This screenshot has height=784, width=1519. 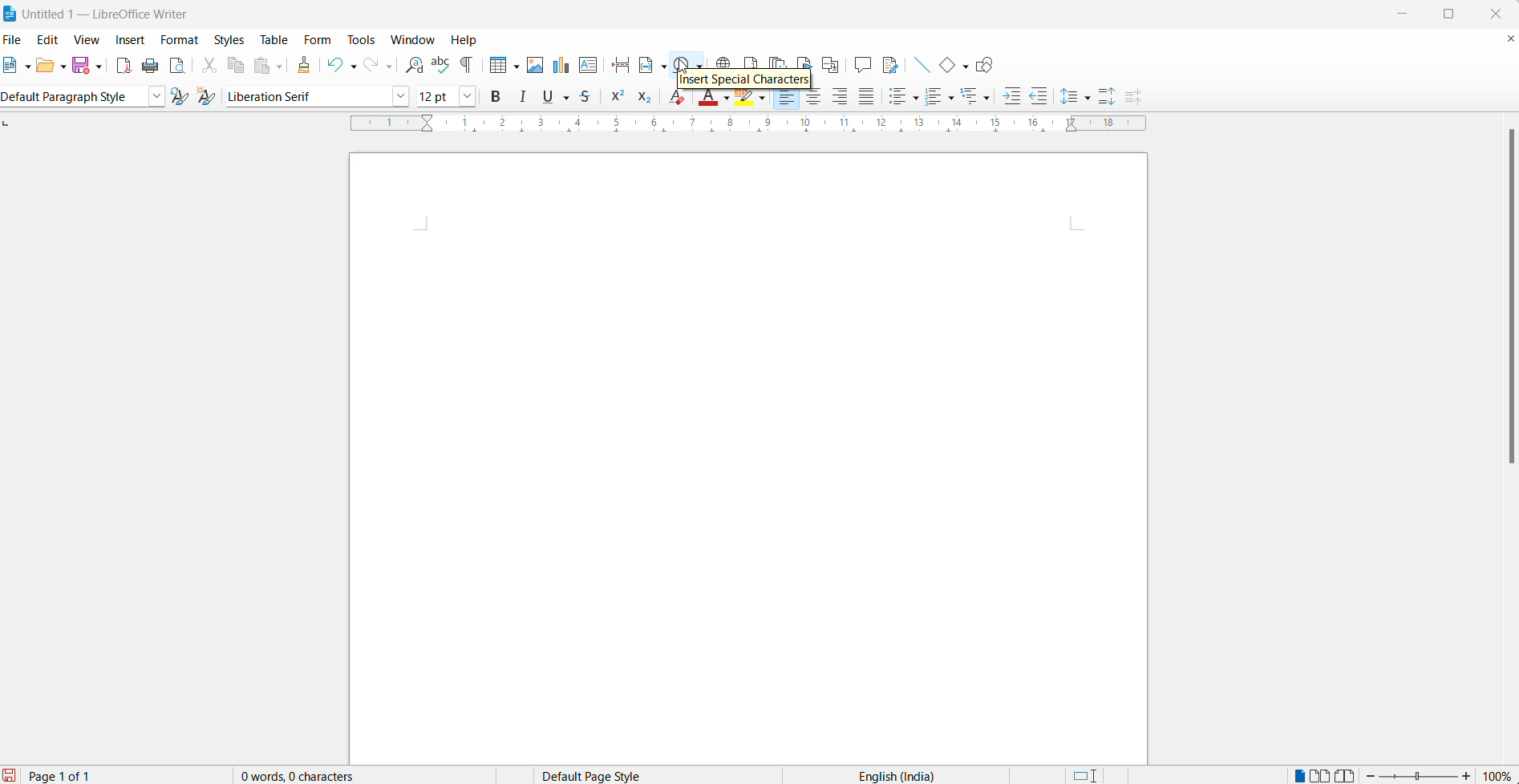 What do you see at coordinates (618, 98) in the screenshot?
I see `superscript` at bounding box center [618, 98].